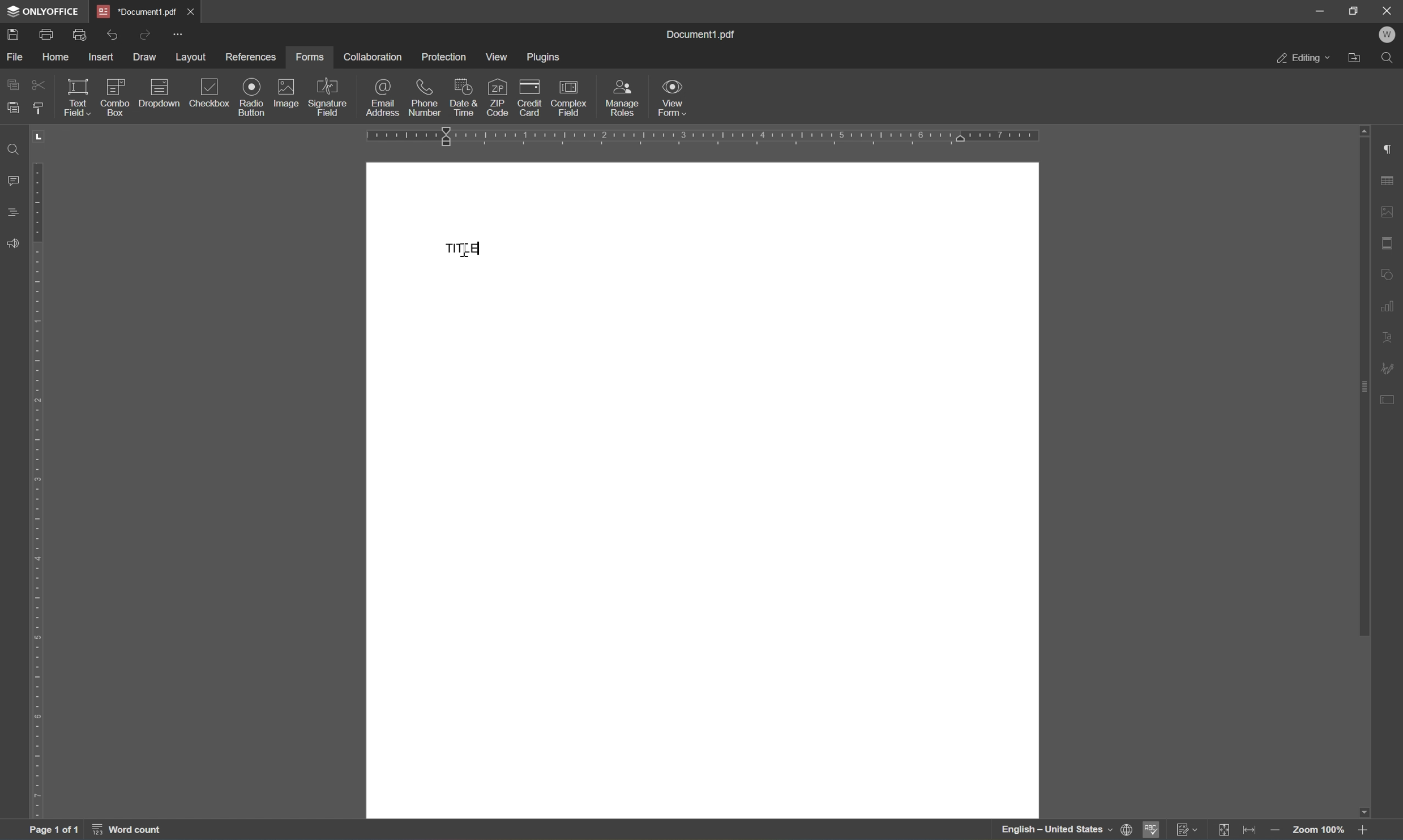 The image size is (1403, 840). What do you see at coordinates (113, 36) in the screenshot?
I see `undo` at bounding box center [113, 36].